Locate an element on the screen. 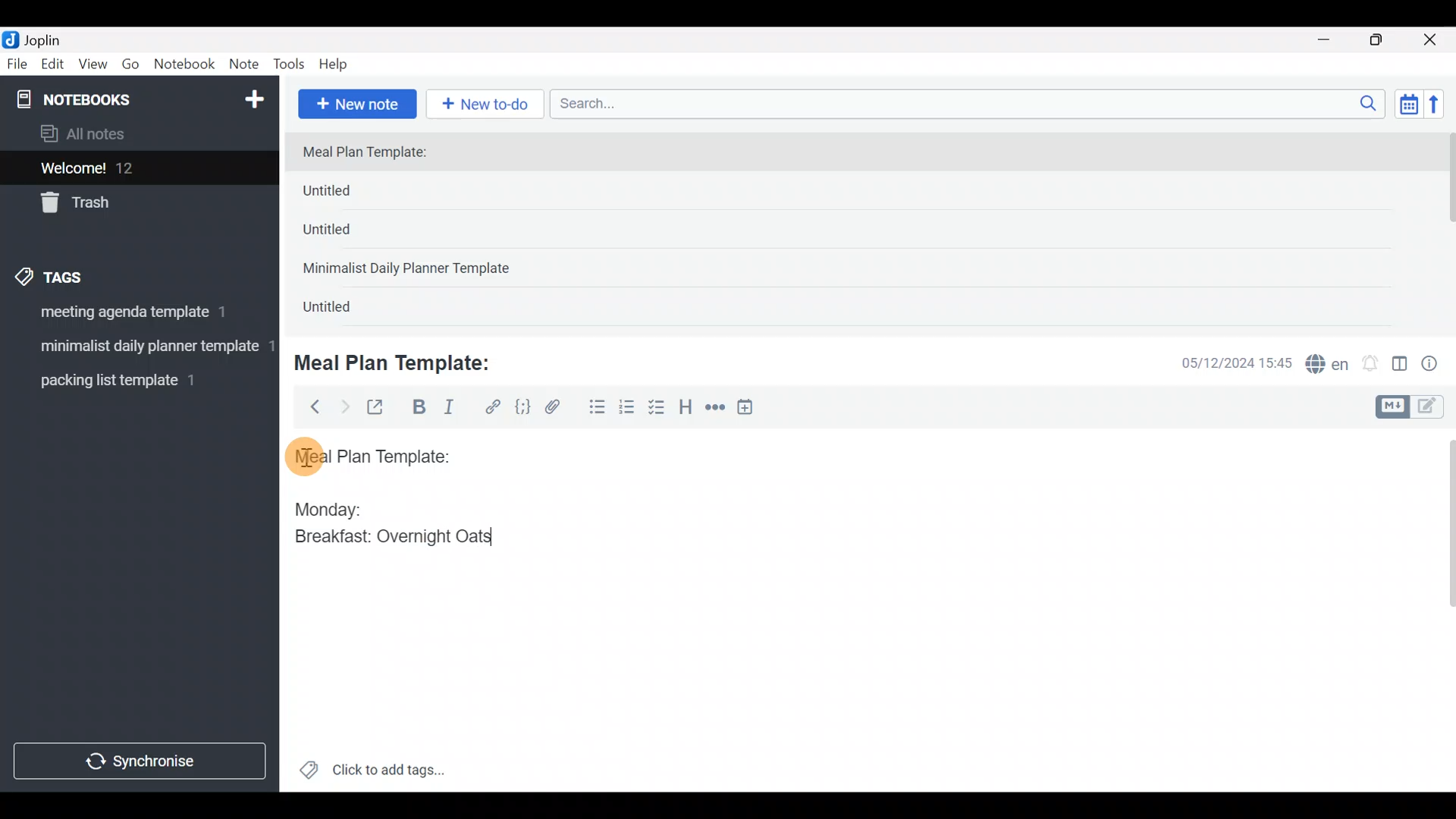  Horizontal rule is located at coordinates (715, 409).